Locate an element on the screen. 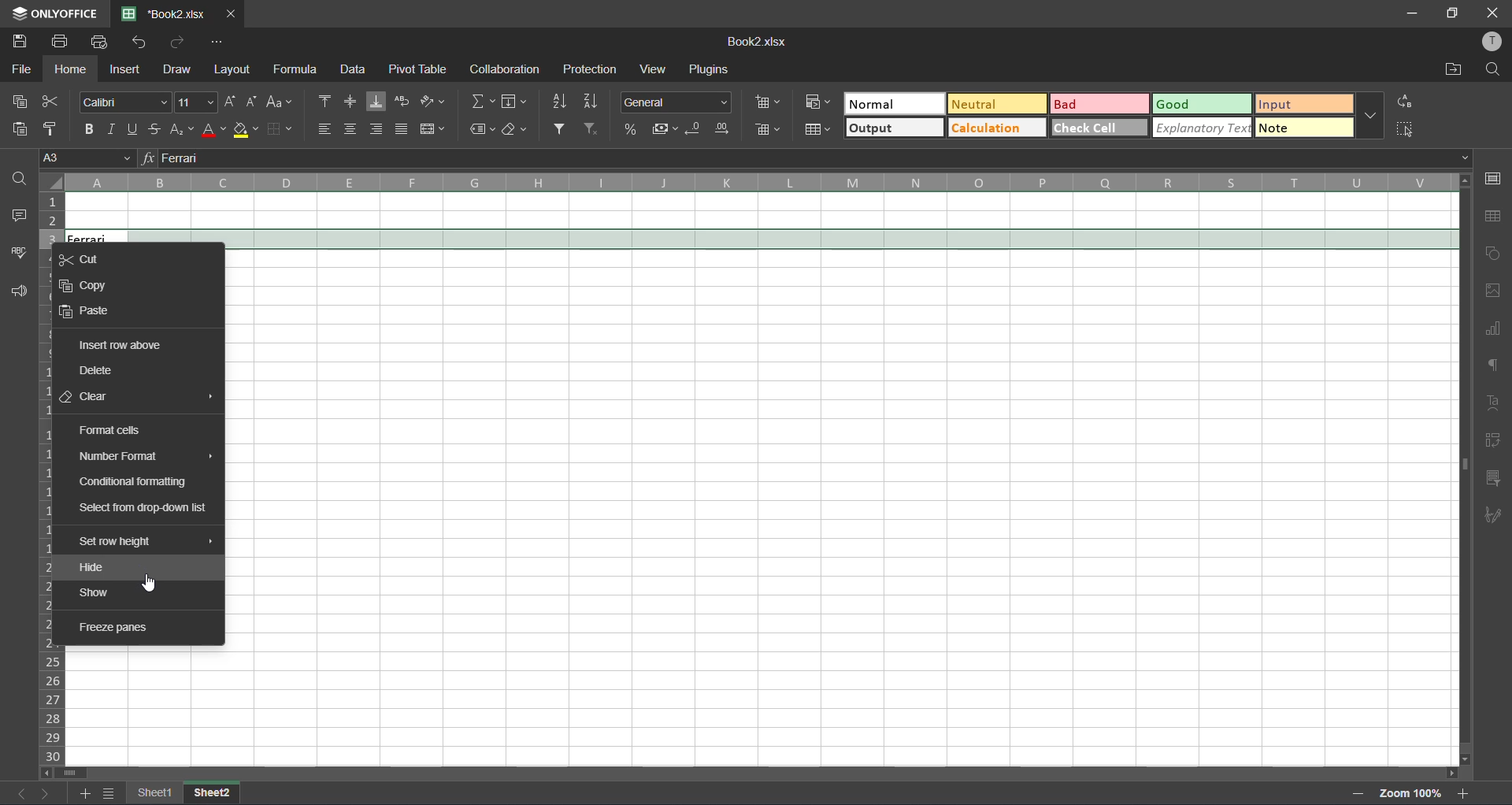 The image size is (1512, 805). redo is located at coordinates (177, 39).